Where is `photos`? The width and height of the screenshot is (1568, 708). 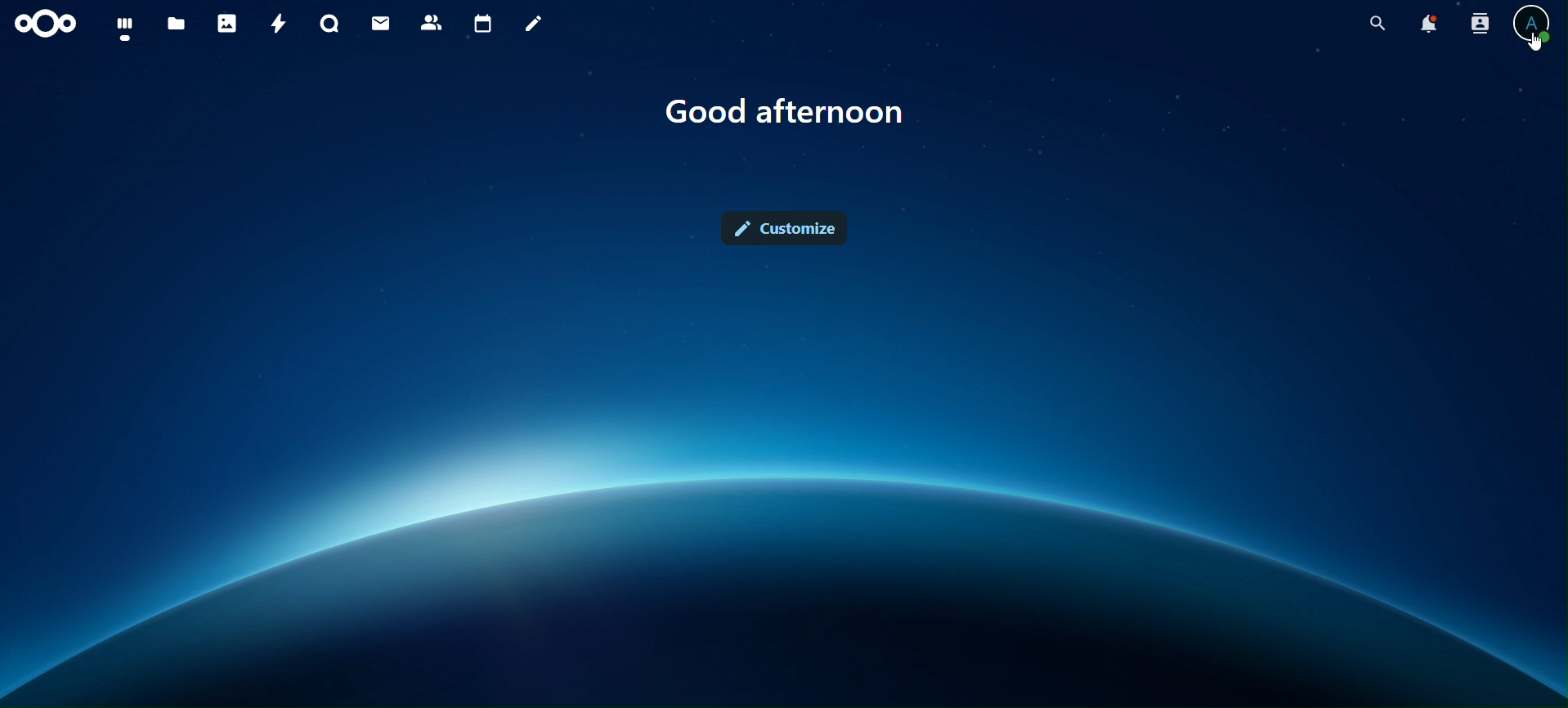 photos is located at coordinates (226, 22).